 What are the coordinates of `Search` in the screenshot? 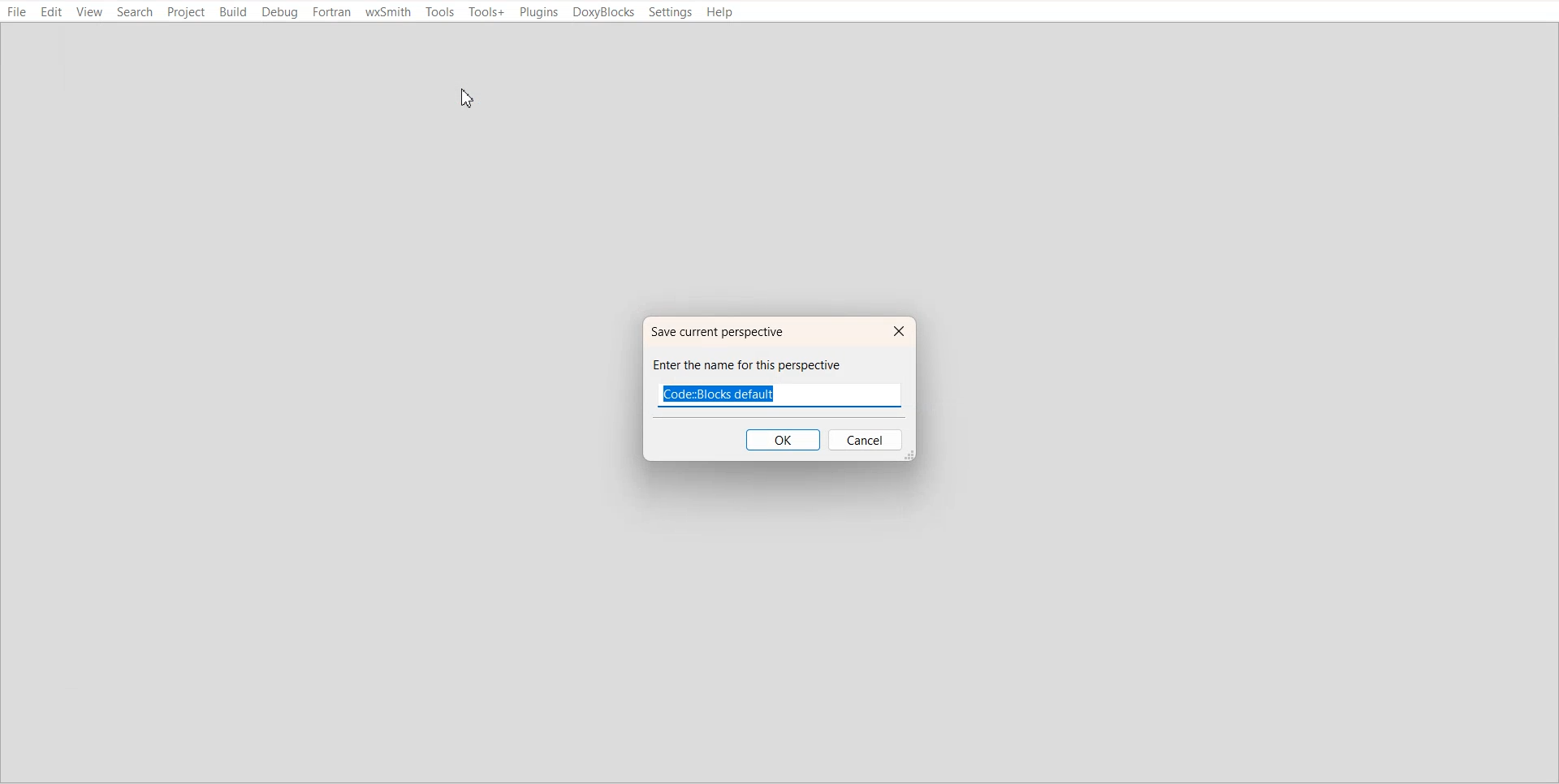 It's located at (135, 12).